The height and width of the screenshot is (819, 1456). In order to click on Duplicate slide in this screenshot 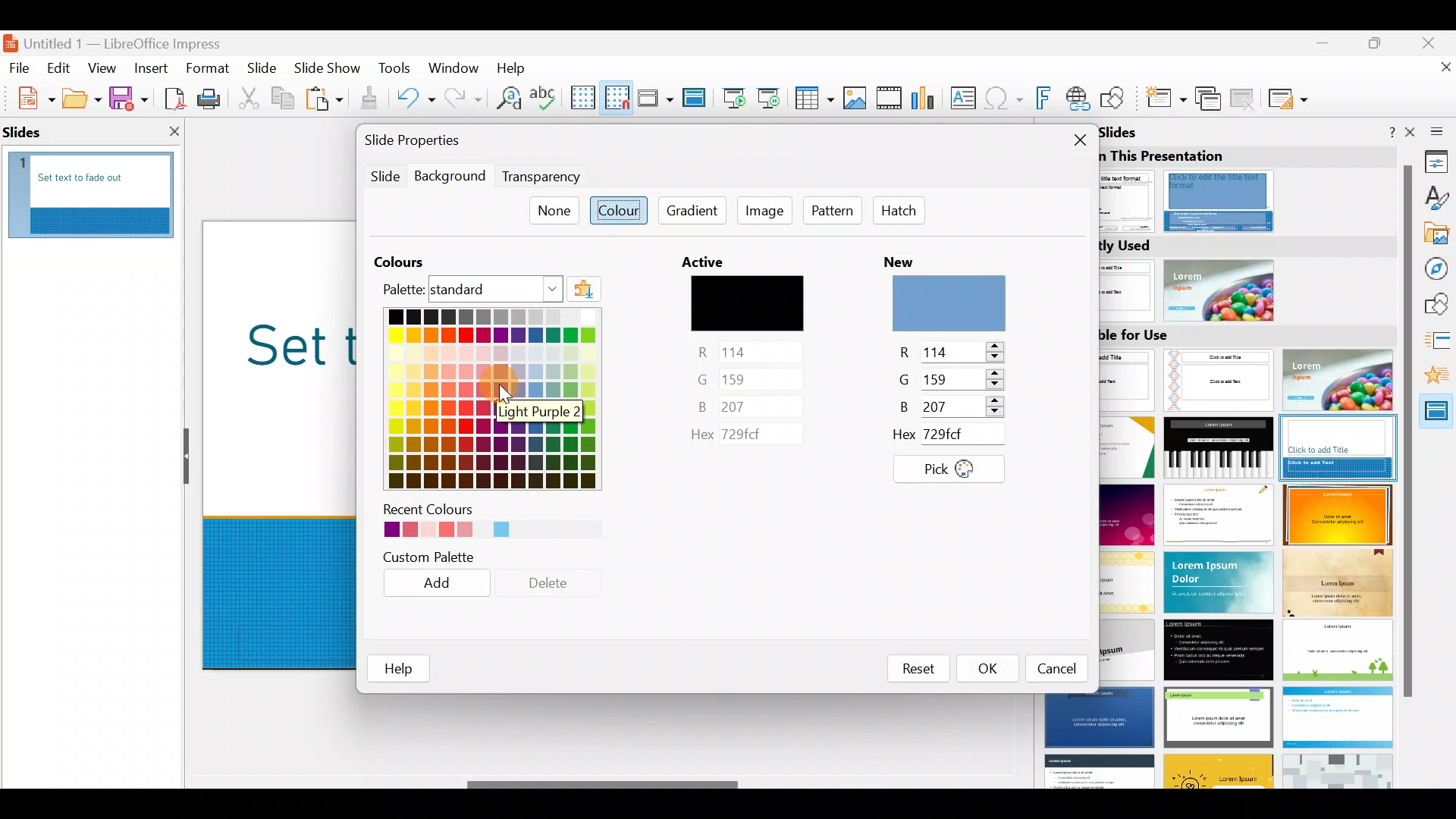, I will do `click(1210, 99)`.